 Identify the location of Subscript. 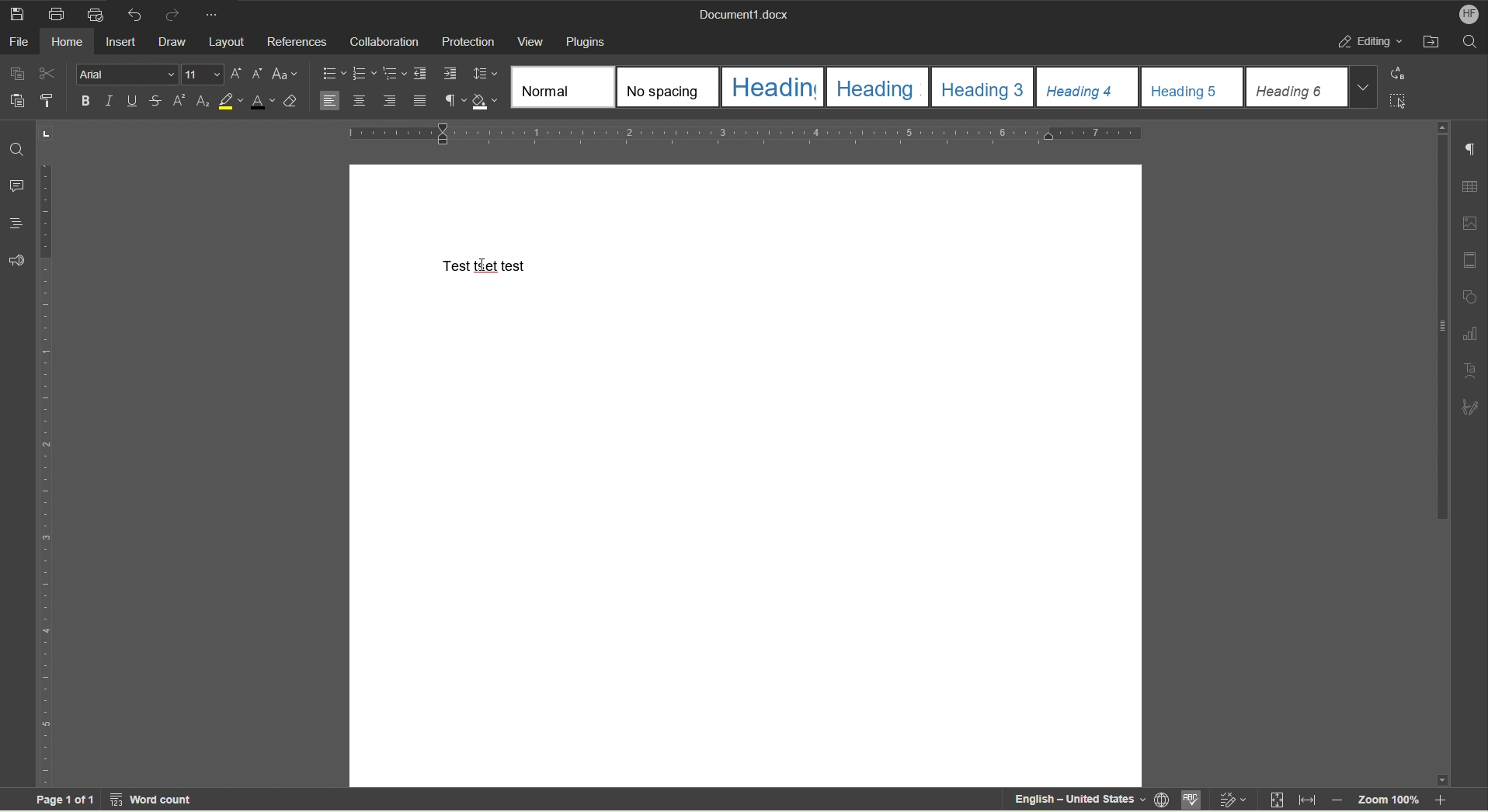
(203, 102).